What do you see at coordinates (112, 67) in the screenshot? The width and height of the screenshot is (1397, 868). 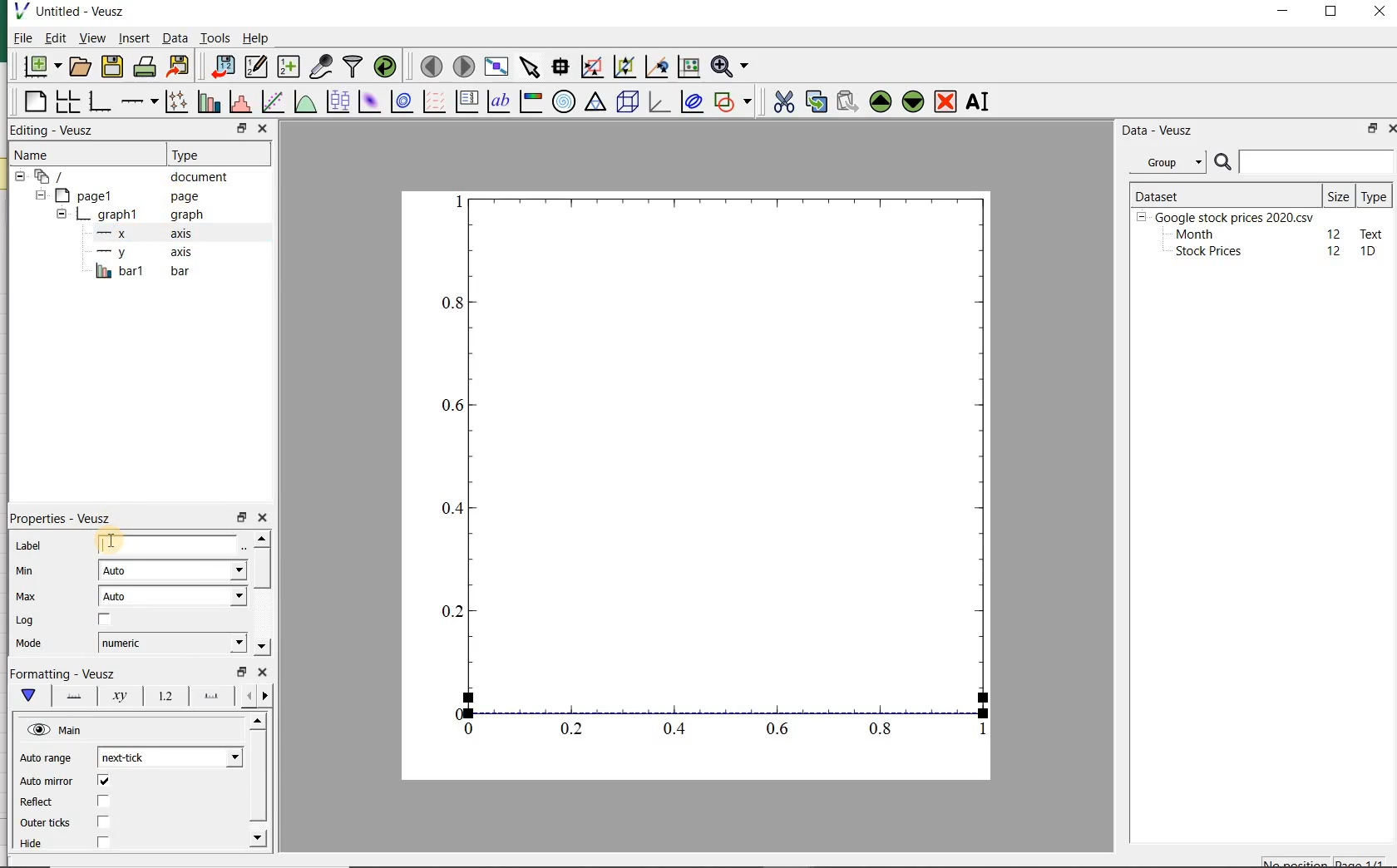 I see `save the document` at bounding box center [112, 67].